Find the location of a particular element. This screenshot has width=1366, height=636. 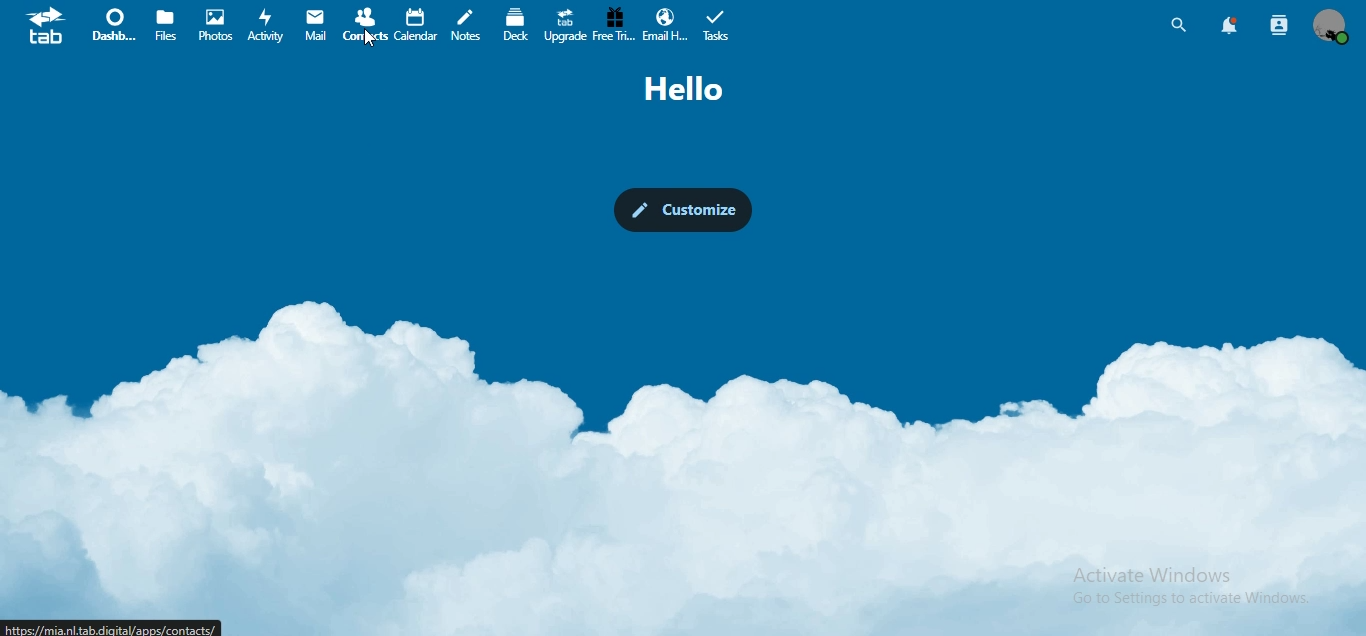

cursor is located at coordinates (370, 45).